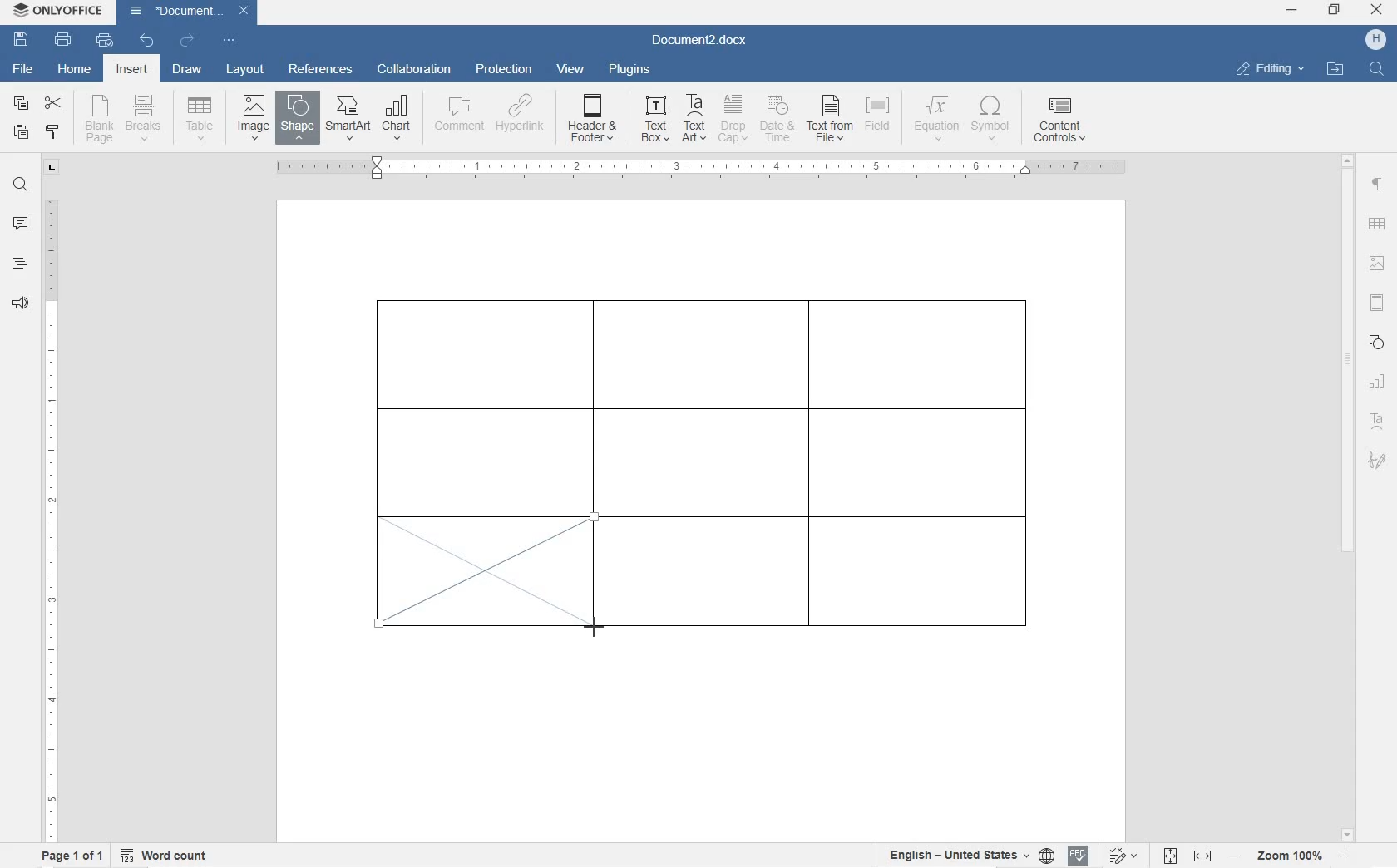 The height and width of the screenshot is (868, 1397). I want to click on SYMBOL, so click(992, 121).